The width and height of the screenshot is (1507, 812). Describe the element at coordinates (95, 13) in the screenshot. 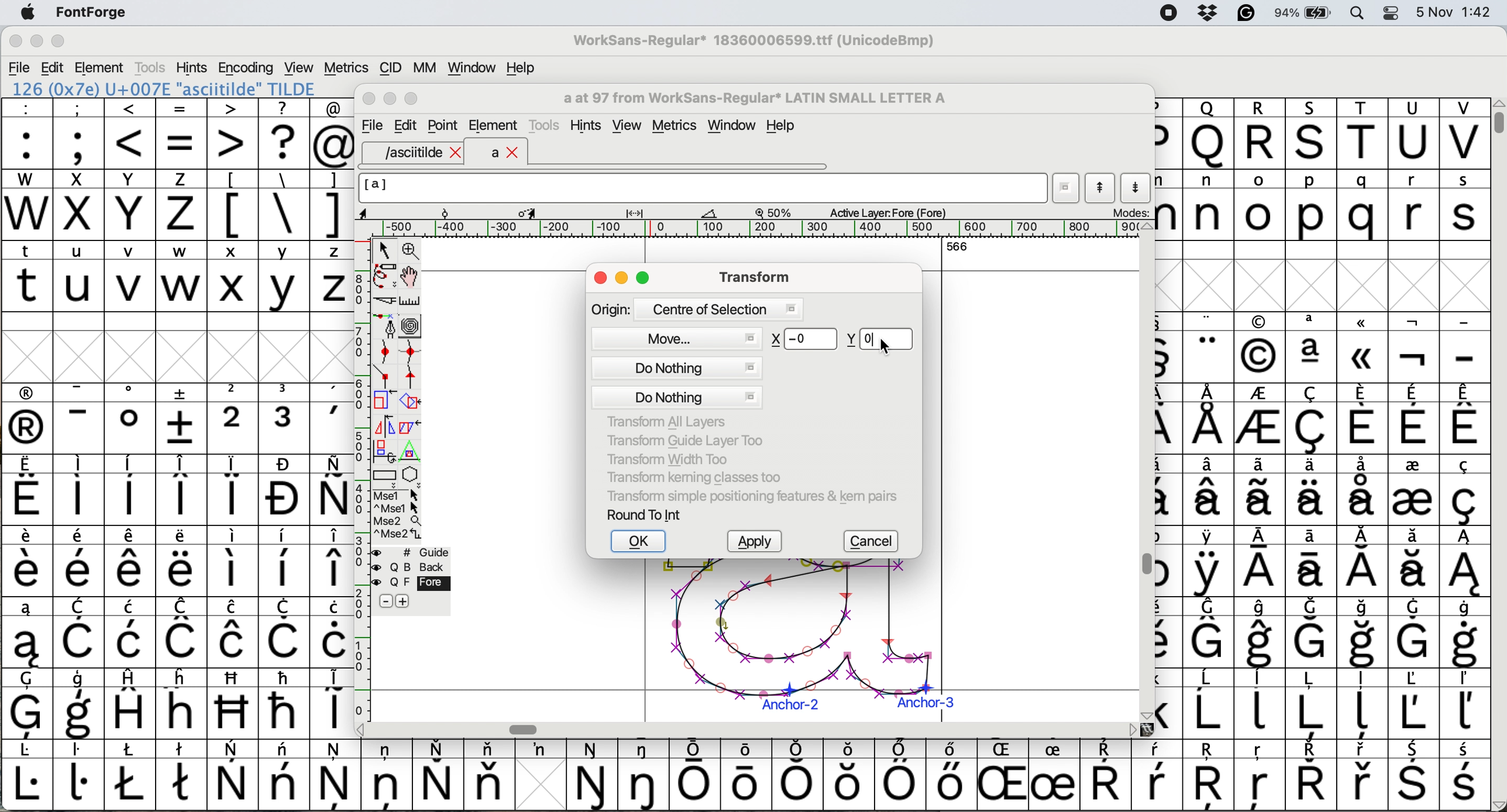

I see `fontforge` at that location.